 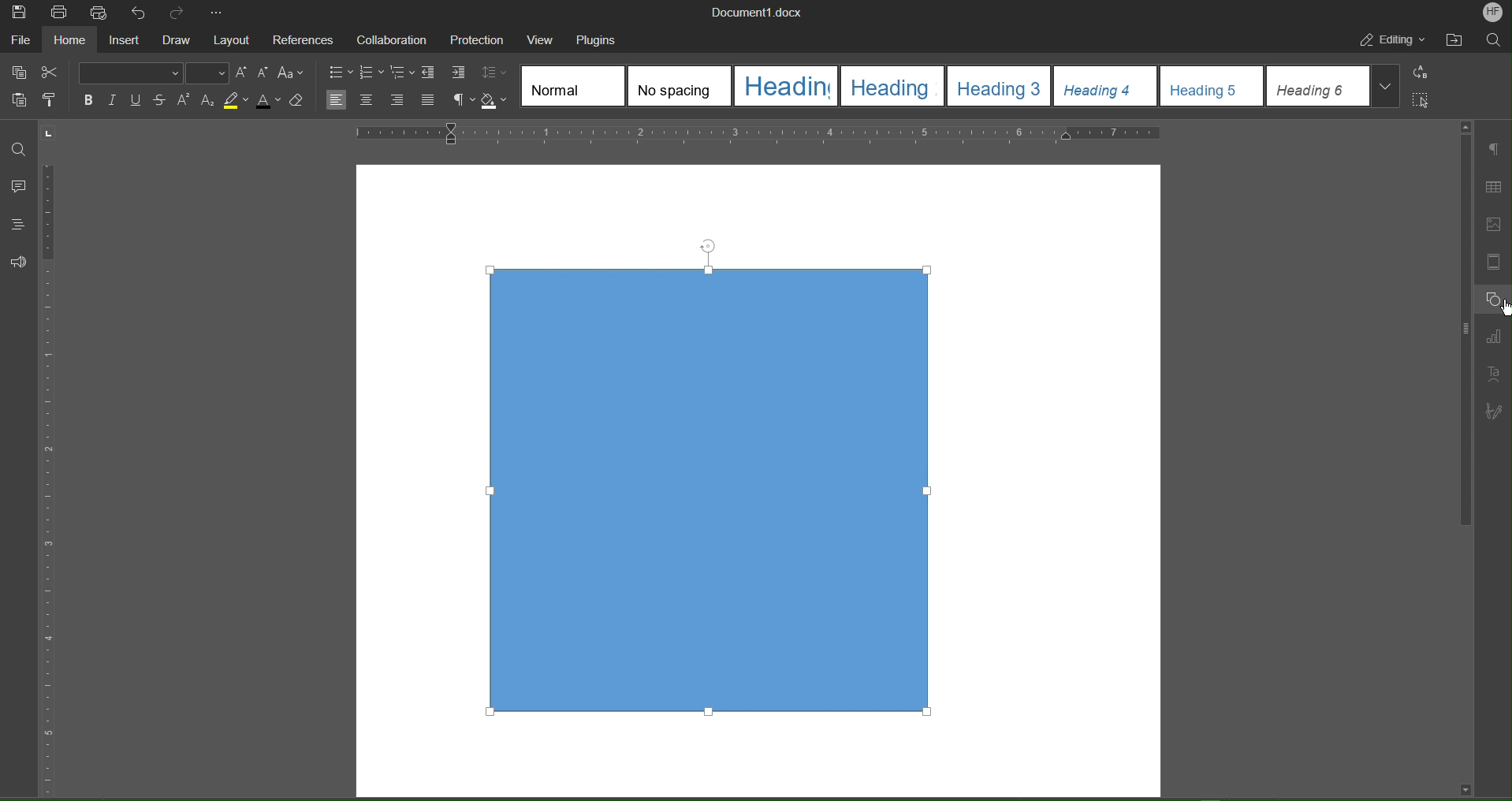 I want to click on Undo, so click(x=140, y=13).